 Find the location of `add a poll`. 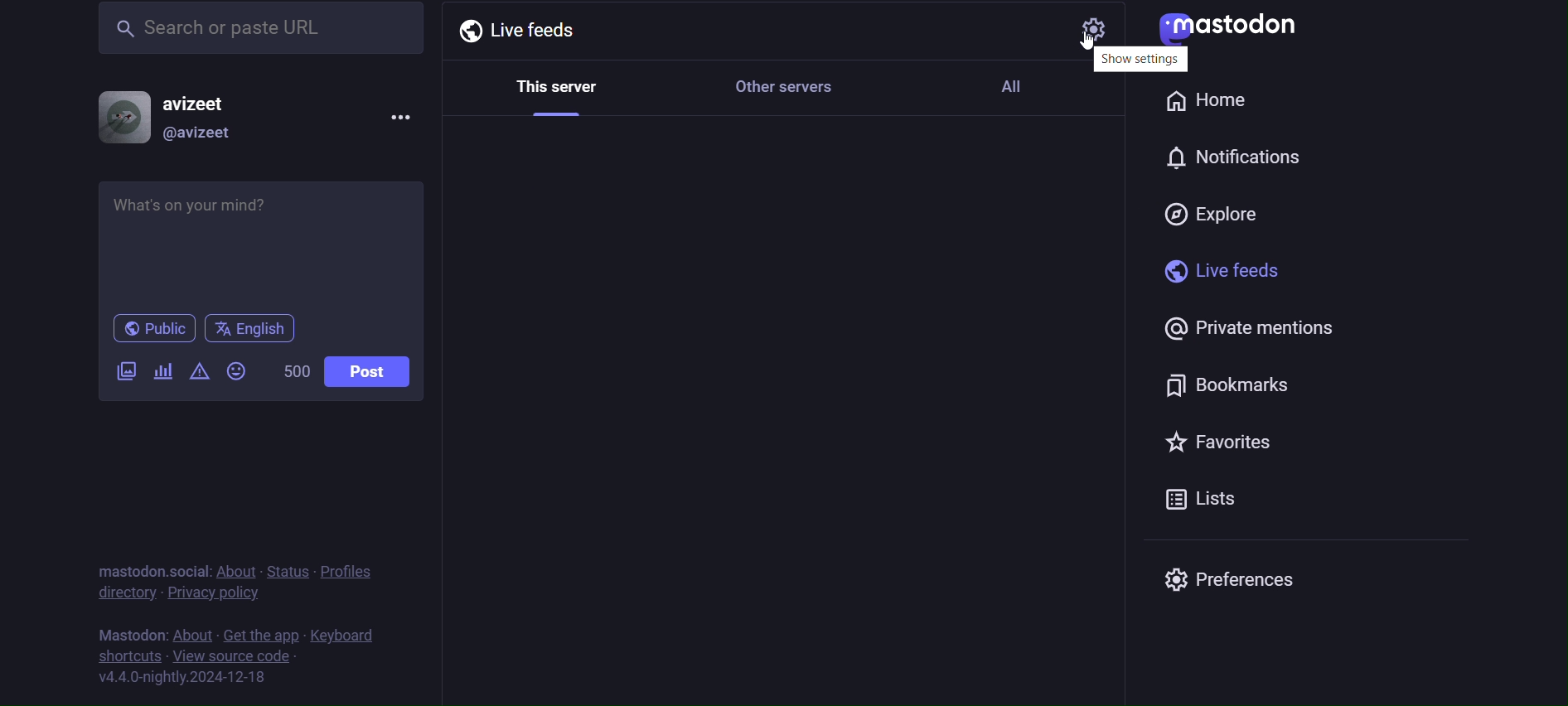

add a poll is located at coordinates (161, 368).